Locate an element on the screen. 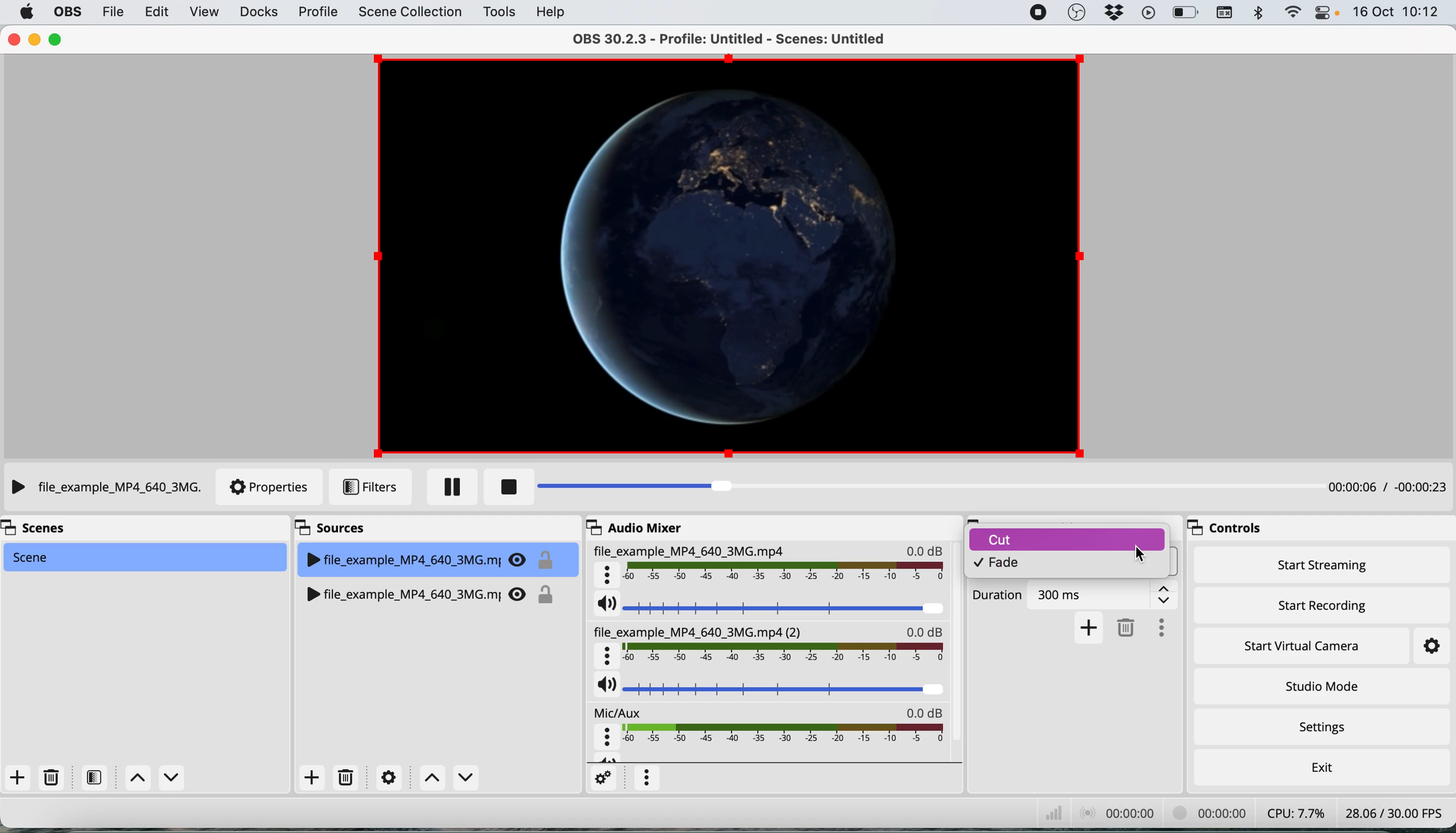 The height and width of the screenshot is (833, 1456). audio mixer is located at coordinates (632, 526).